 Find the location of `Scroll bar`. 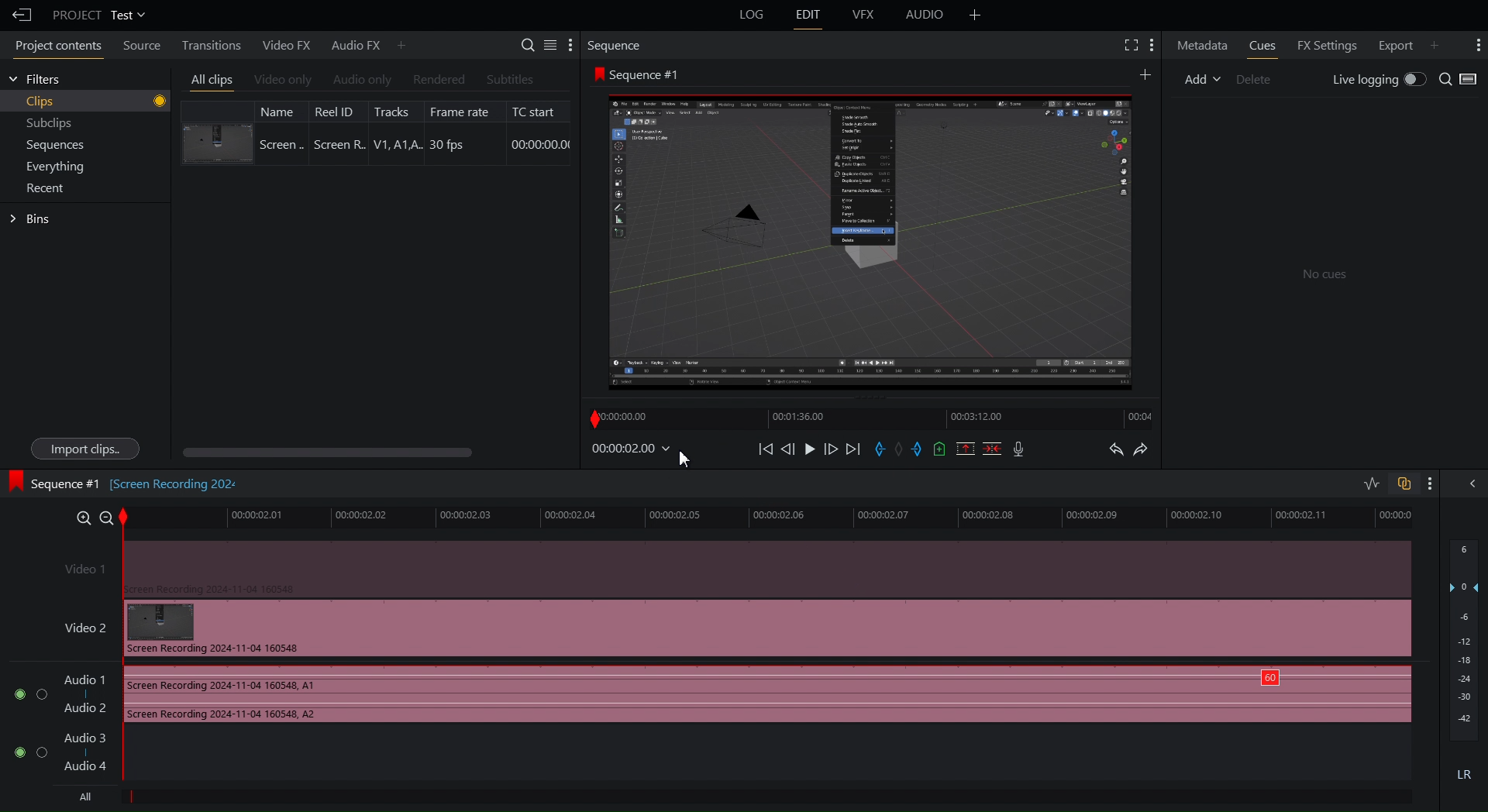

Scroll bar is located at coordinates (354, 452).